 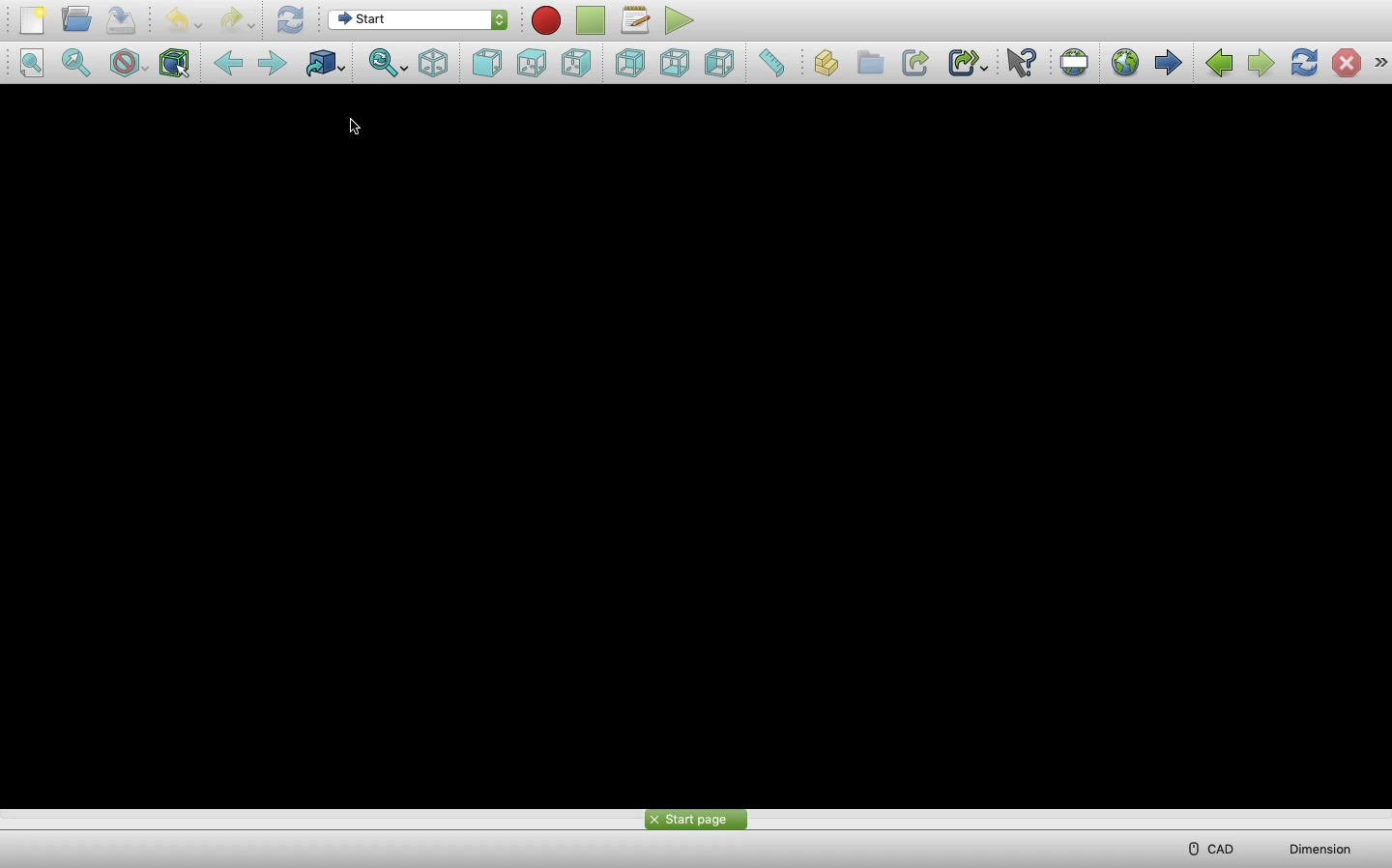 I want to click on Bottom, so click(x=675, y=63).